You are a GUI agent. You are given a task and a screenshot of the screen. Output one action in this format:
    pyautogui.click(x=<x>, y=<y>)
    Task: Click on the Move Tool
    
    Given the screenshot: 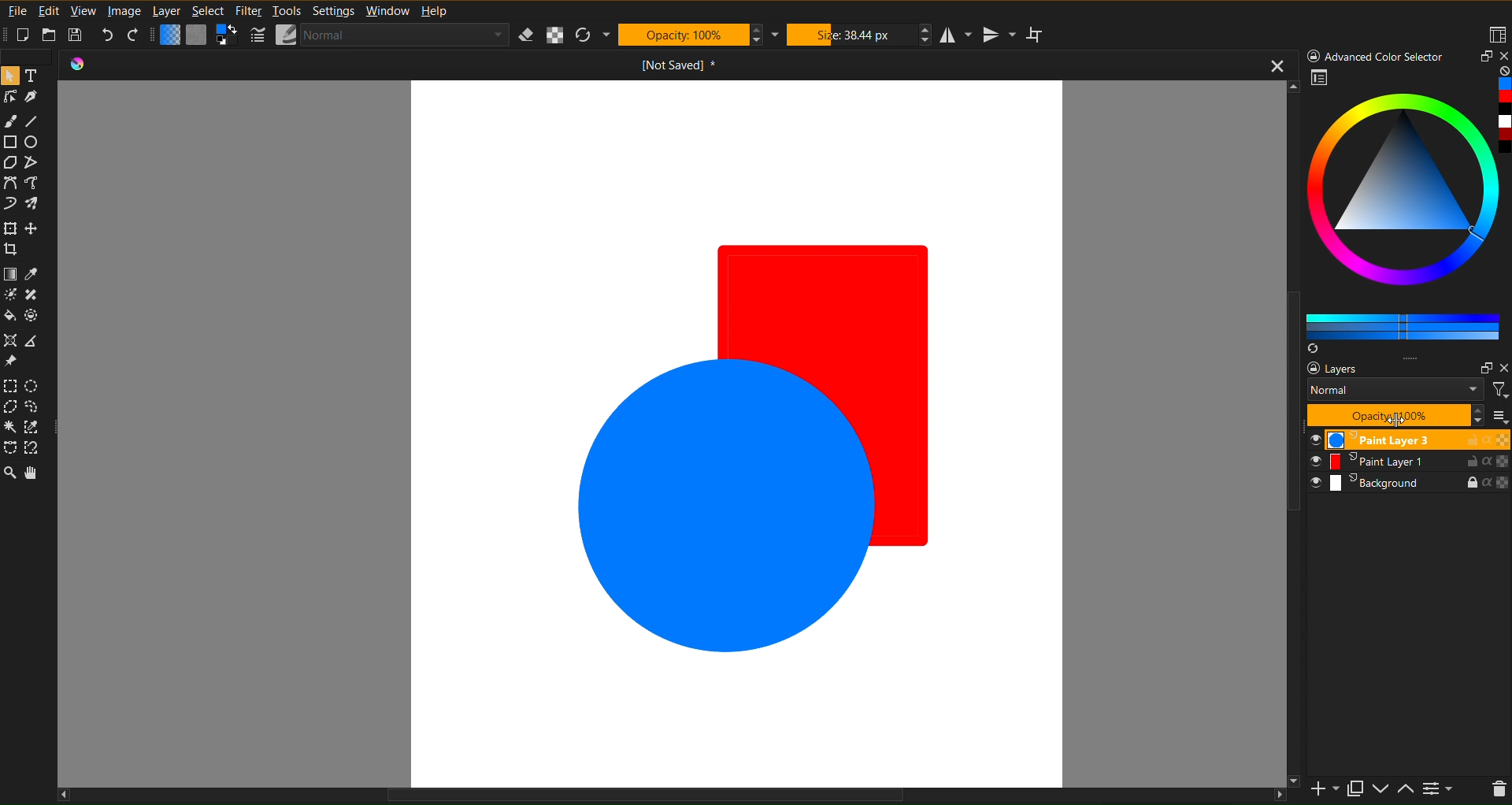 What is the action you would take?
    pyautogui.click(x=34, y=228)
    